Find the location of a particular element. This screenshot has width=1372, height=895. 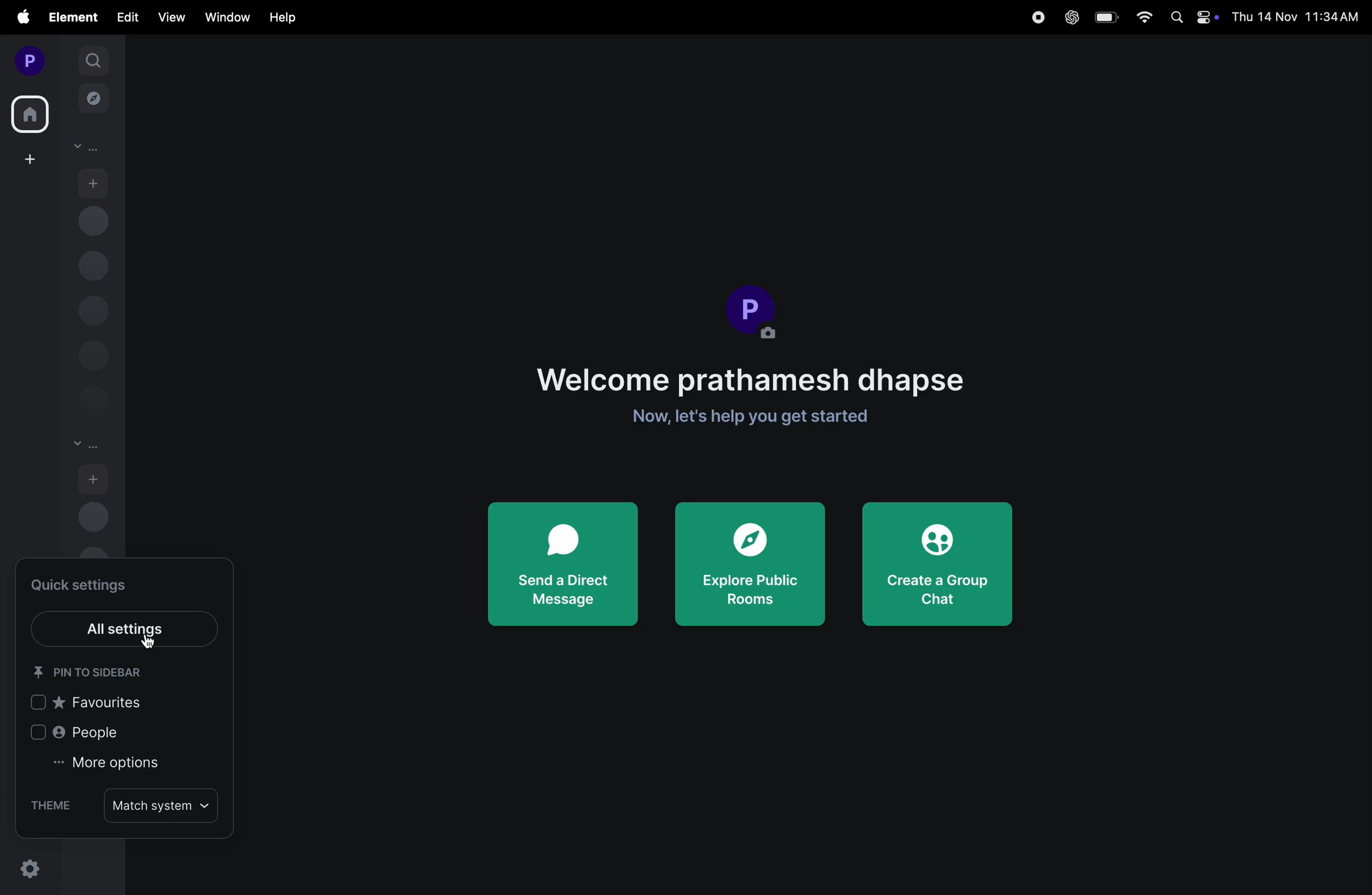

explore public is located at coordinates (752, 566).